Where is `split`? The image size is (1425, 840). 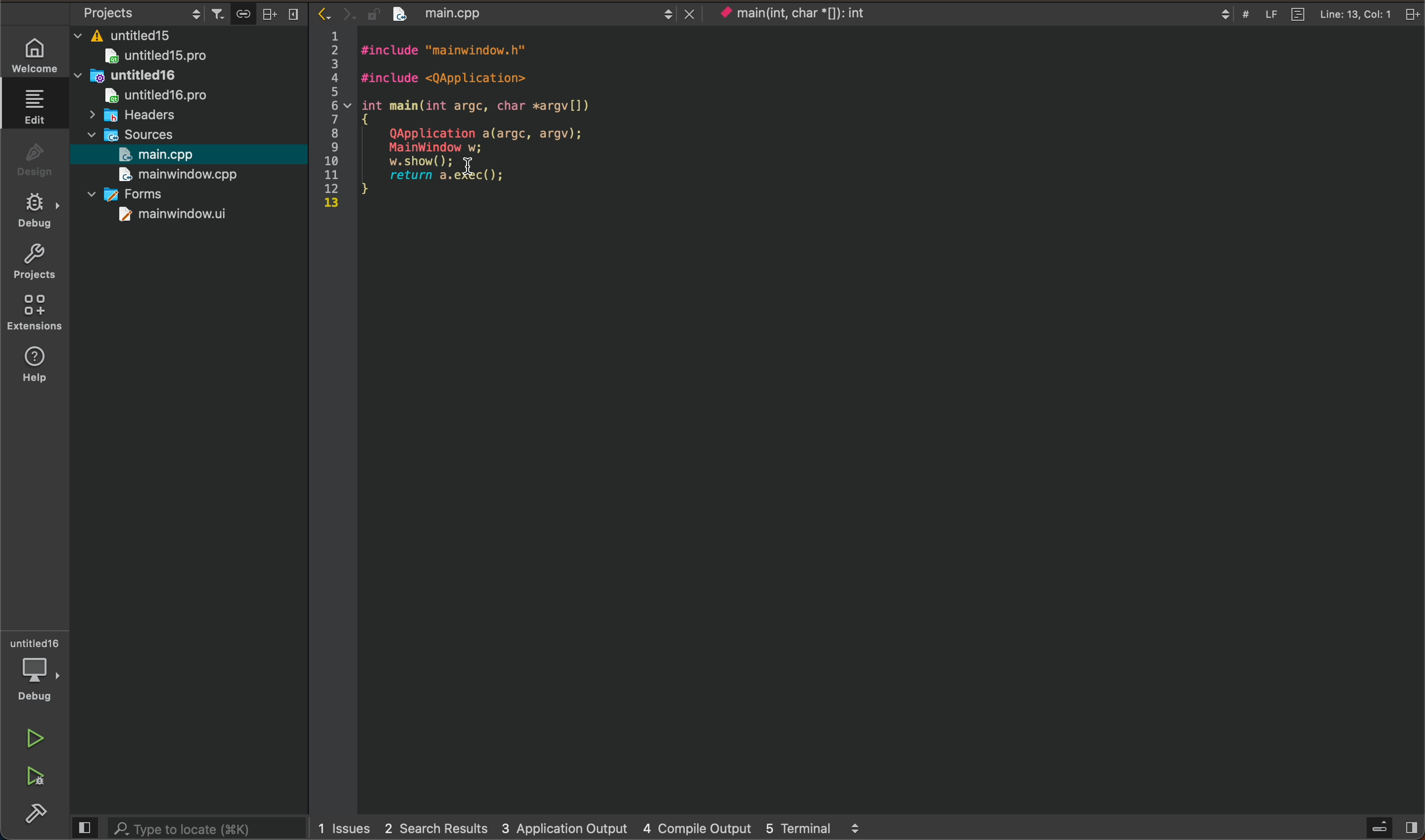
split is located at coordinates (268, 13).